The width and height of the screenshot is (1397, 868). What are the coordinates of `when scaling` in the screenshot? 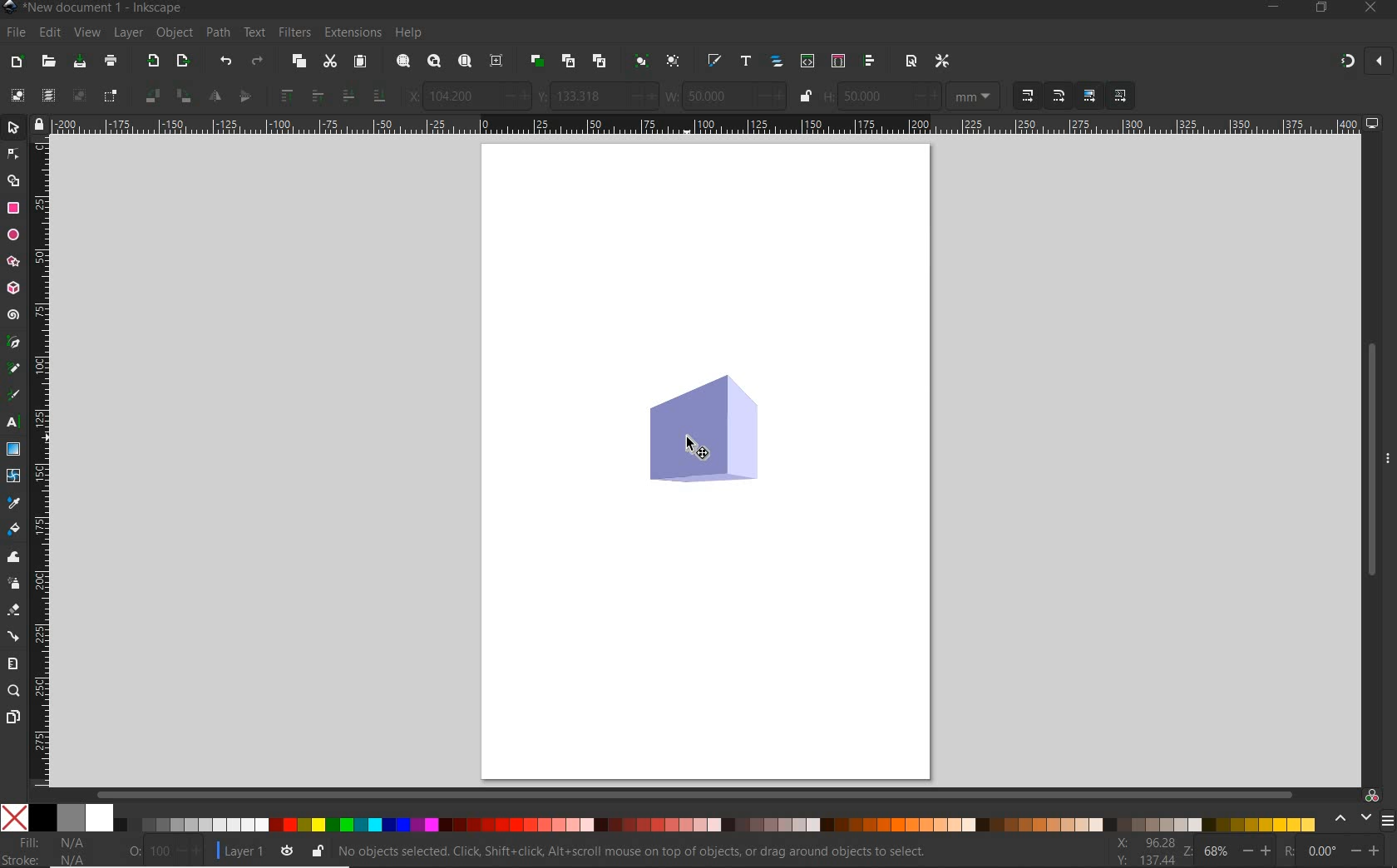 It's located at (1027, 96).